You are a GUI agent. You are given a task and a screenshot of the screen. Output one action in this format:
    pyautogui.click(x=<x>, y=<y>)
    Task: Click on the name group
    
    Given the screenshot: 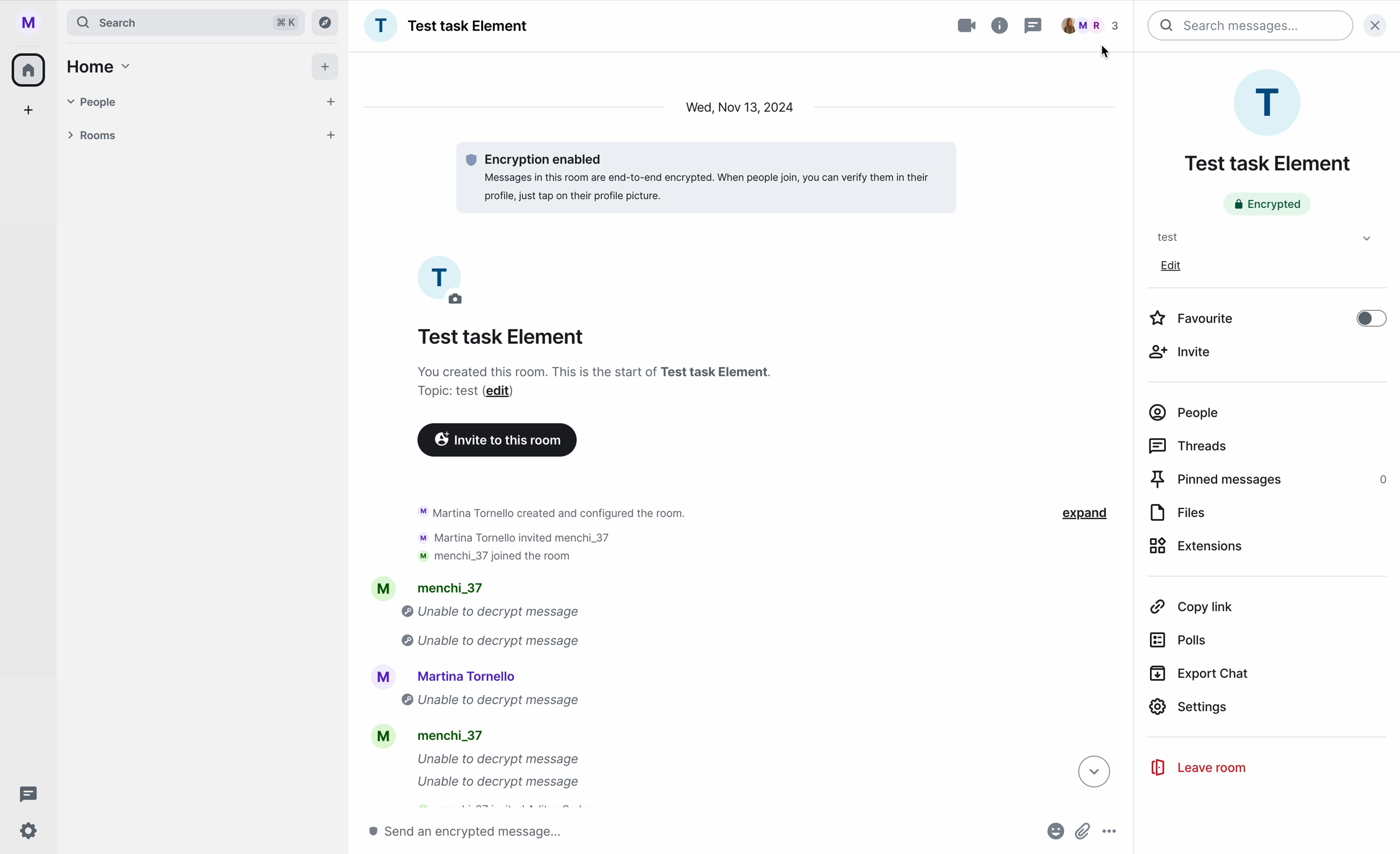 What is the action you would take?
    pyautogui.click(x=501, y=338)
    